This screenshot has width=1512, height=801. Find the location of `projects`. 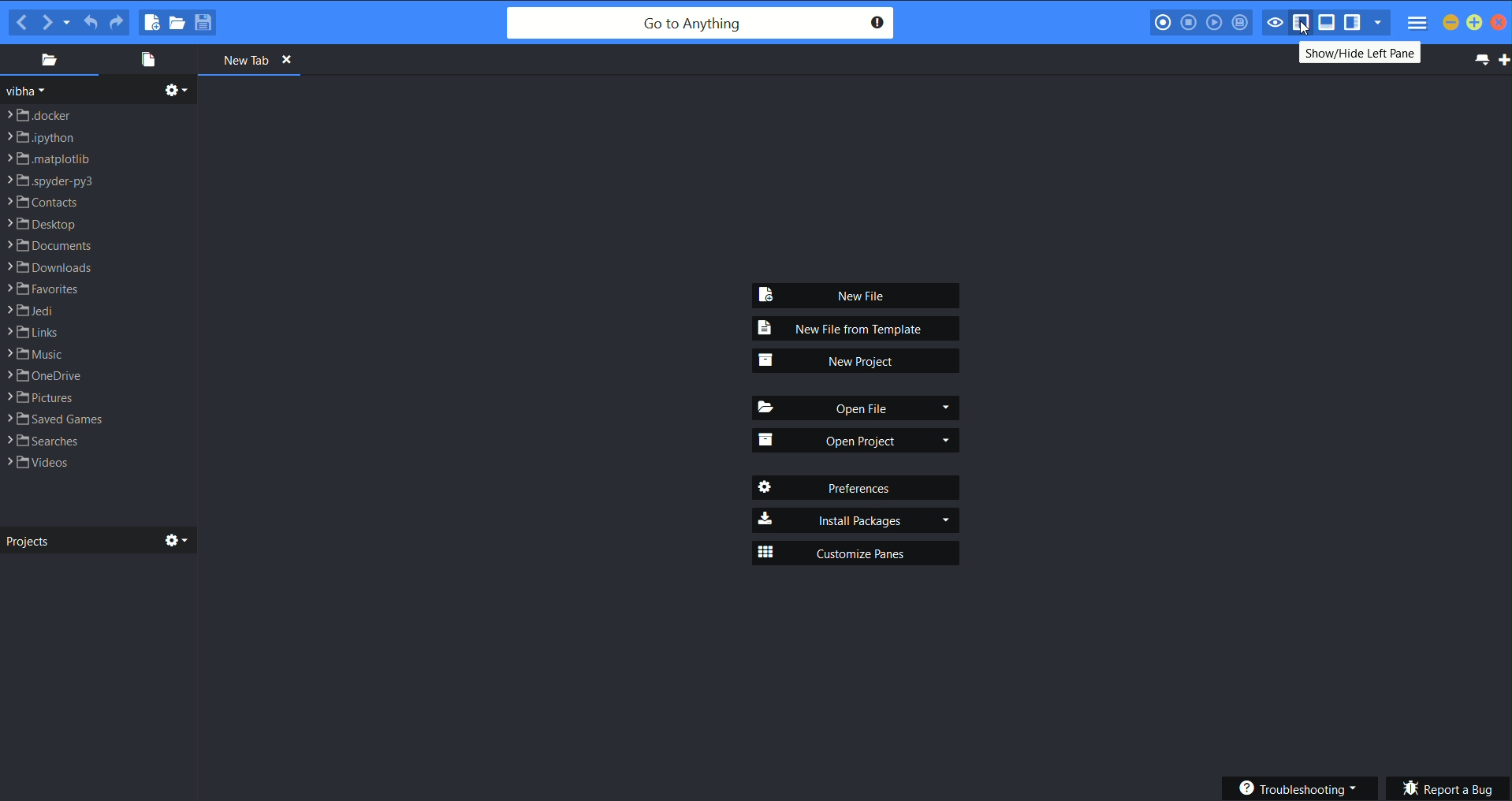

projects is located at coordinates (97, 540).